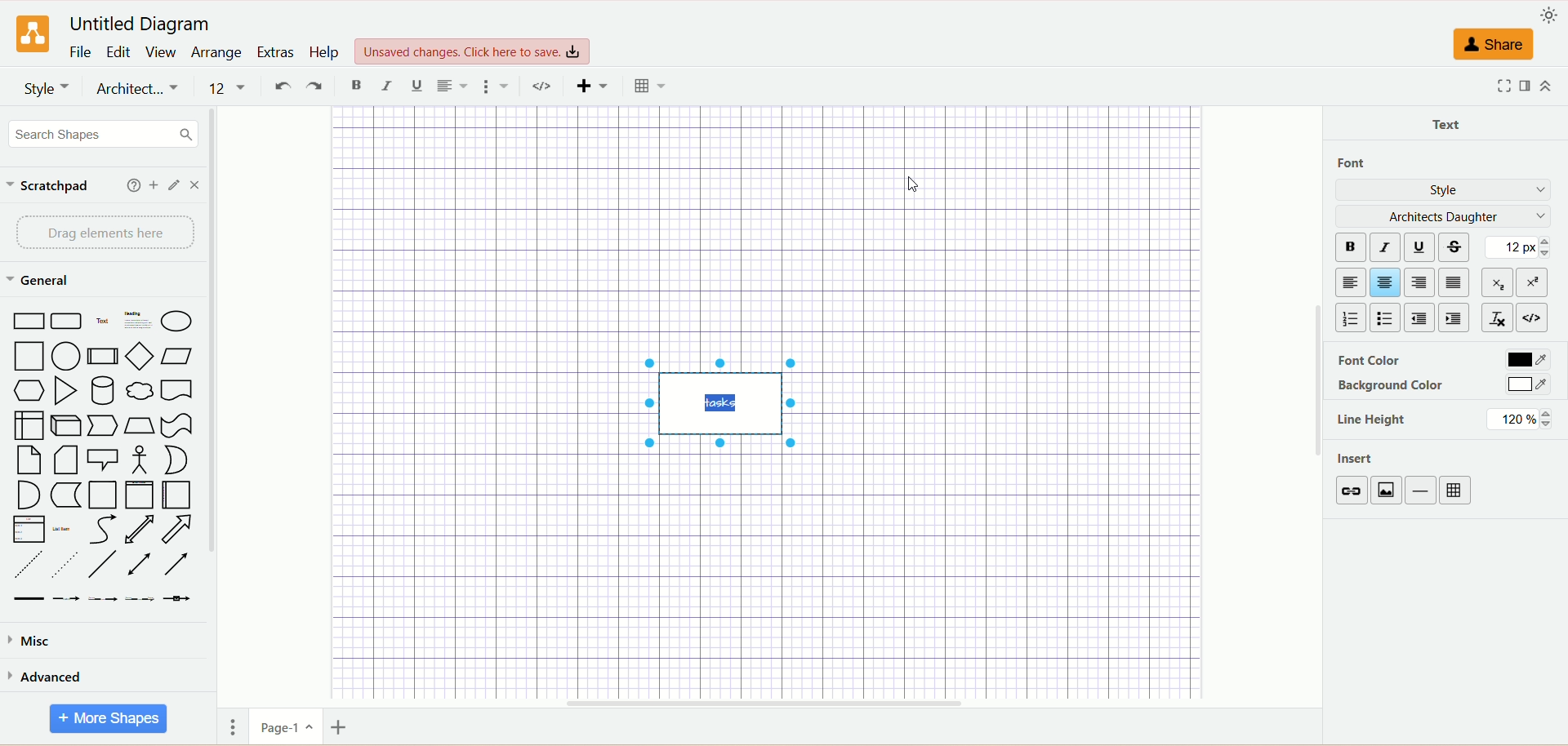 The image size is (1568, 746). Describe the element at coordinates (162, 52) in the screenshot. I see `view` at that location.